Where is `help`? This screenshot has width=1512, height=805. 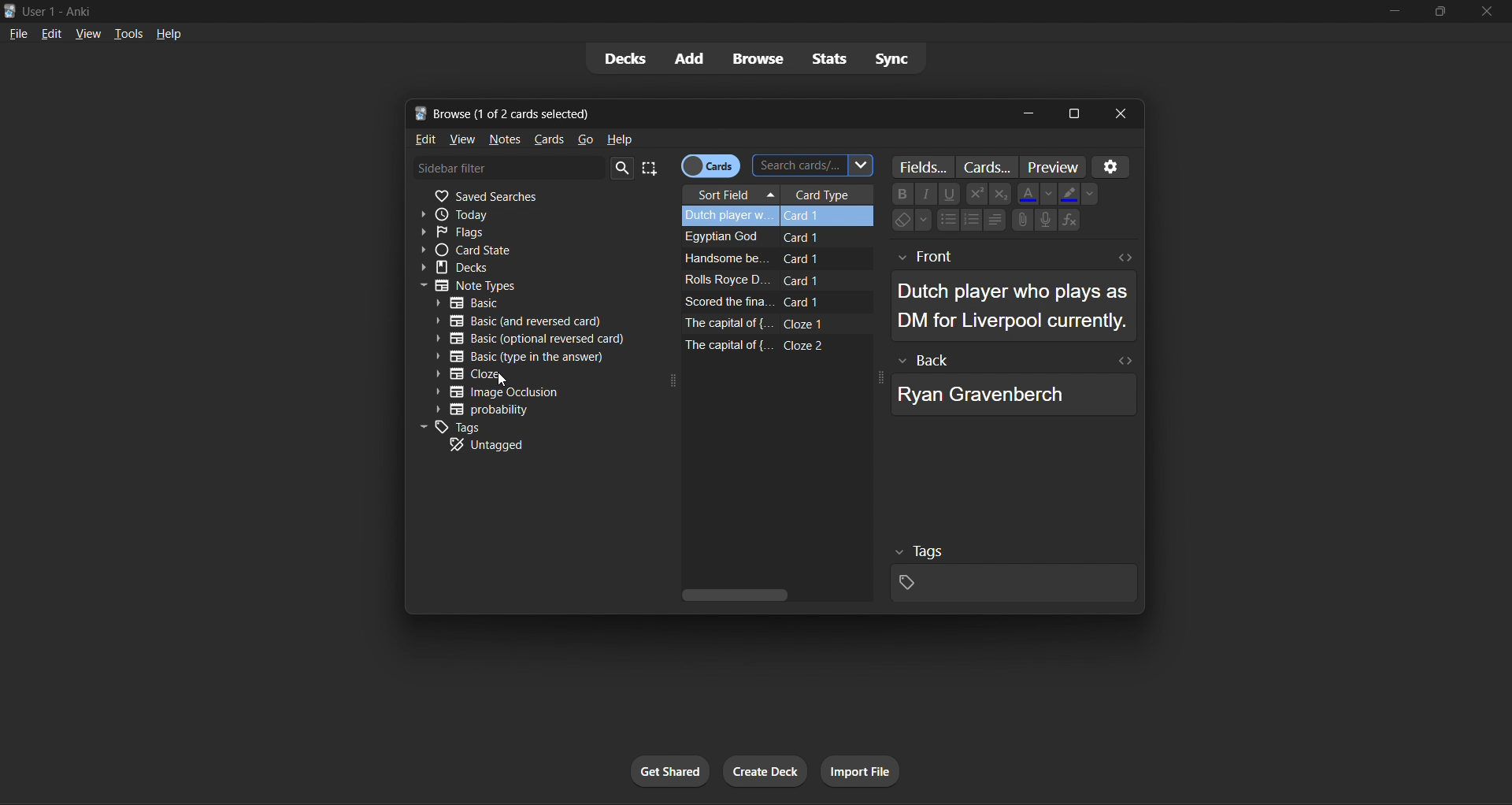
help is located at coordinates (173, 33).